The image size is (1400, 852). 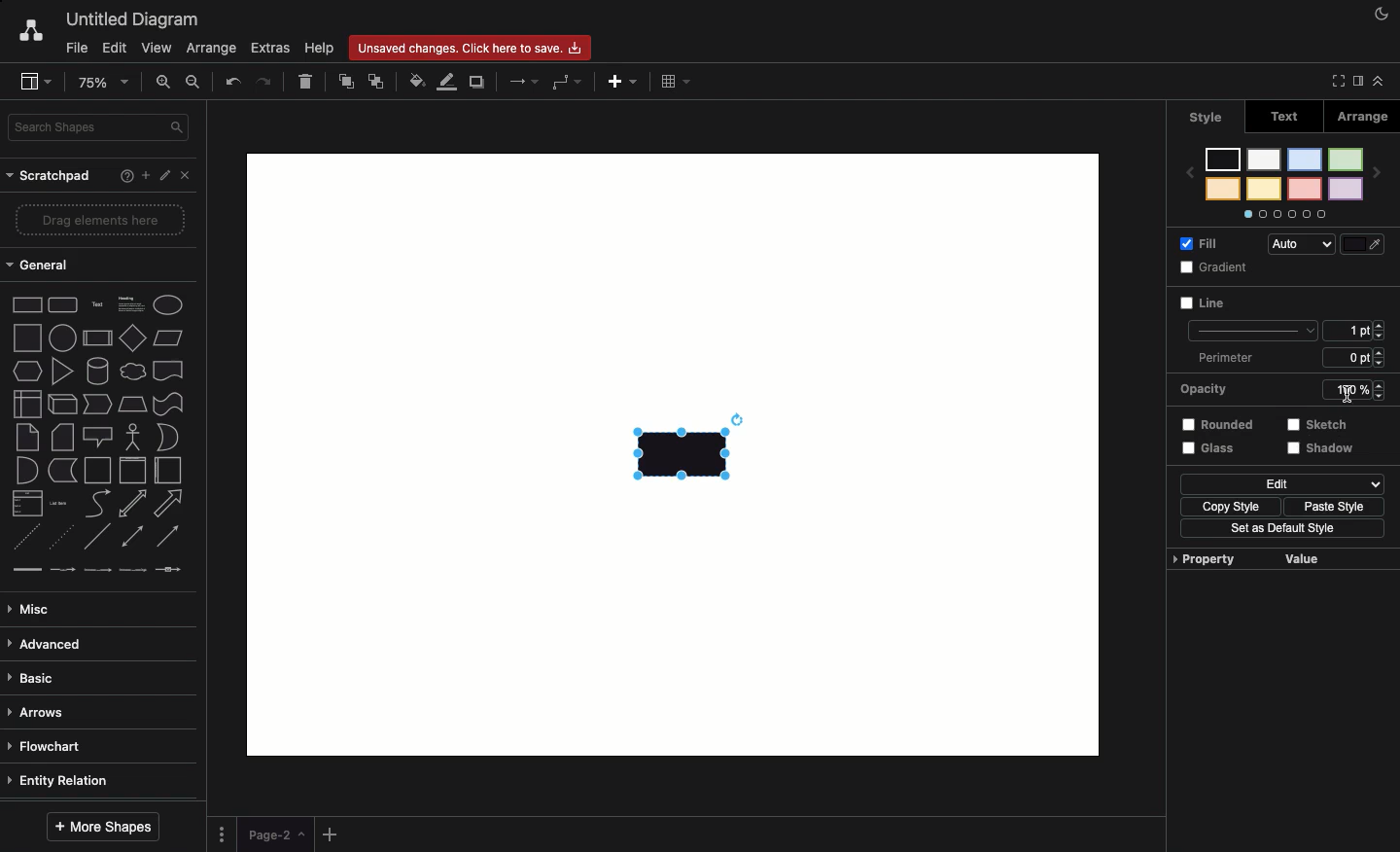 What do you see at coordinates (446, 83) in the screenshot?
I see `Line color` at bounding box center [446, 83].